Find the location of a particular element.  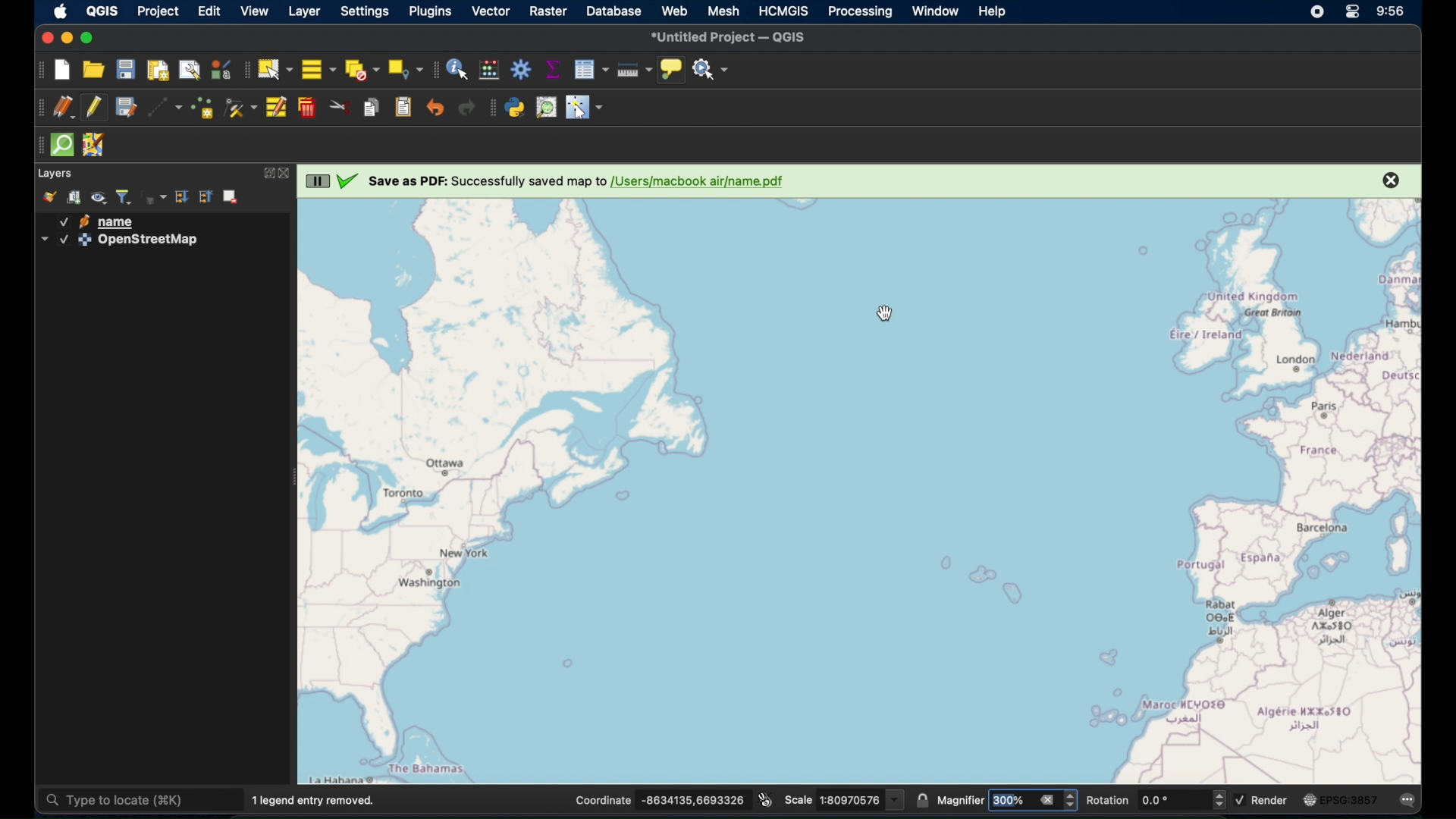

help is located at coordinates (994, 12).